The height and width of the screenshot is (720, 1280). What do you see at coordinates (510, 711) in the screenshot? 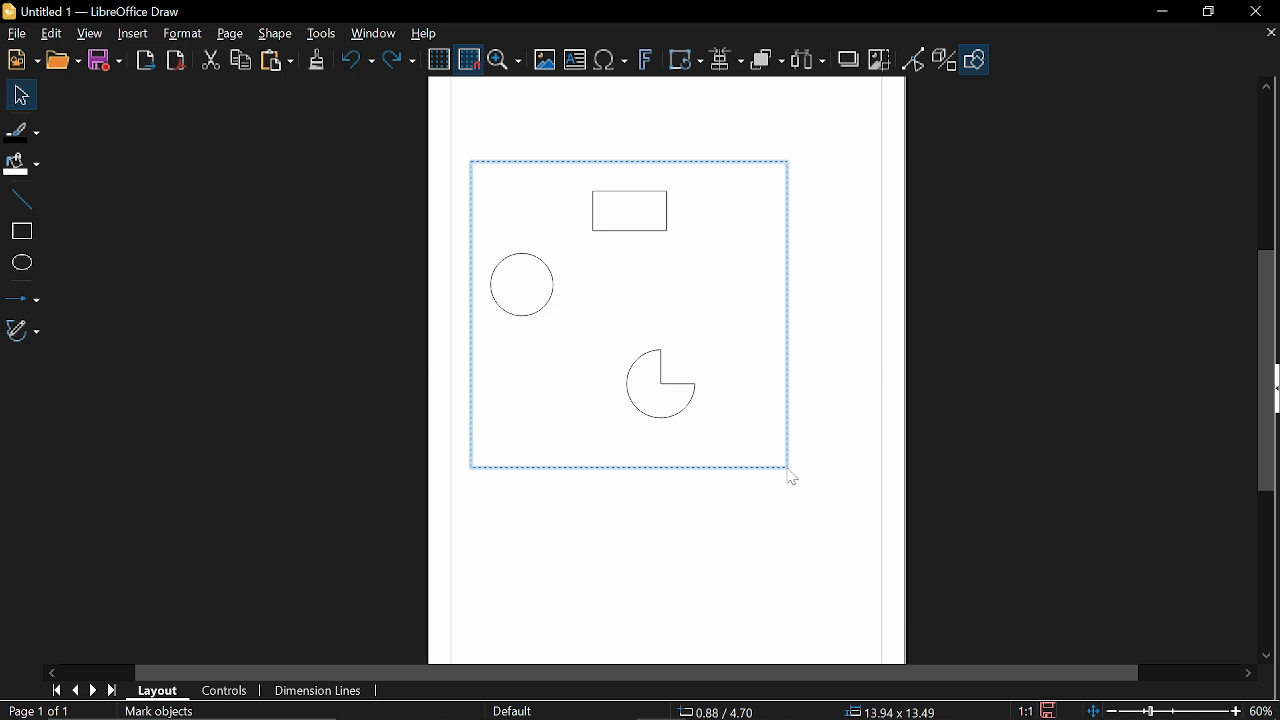
I see `Slide master name` at bounding box center [510, 711].